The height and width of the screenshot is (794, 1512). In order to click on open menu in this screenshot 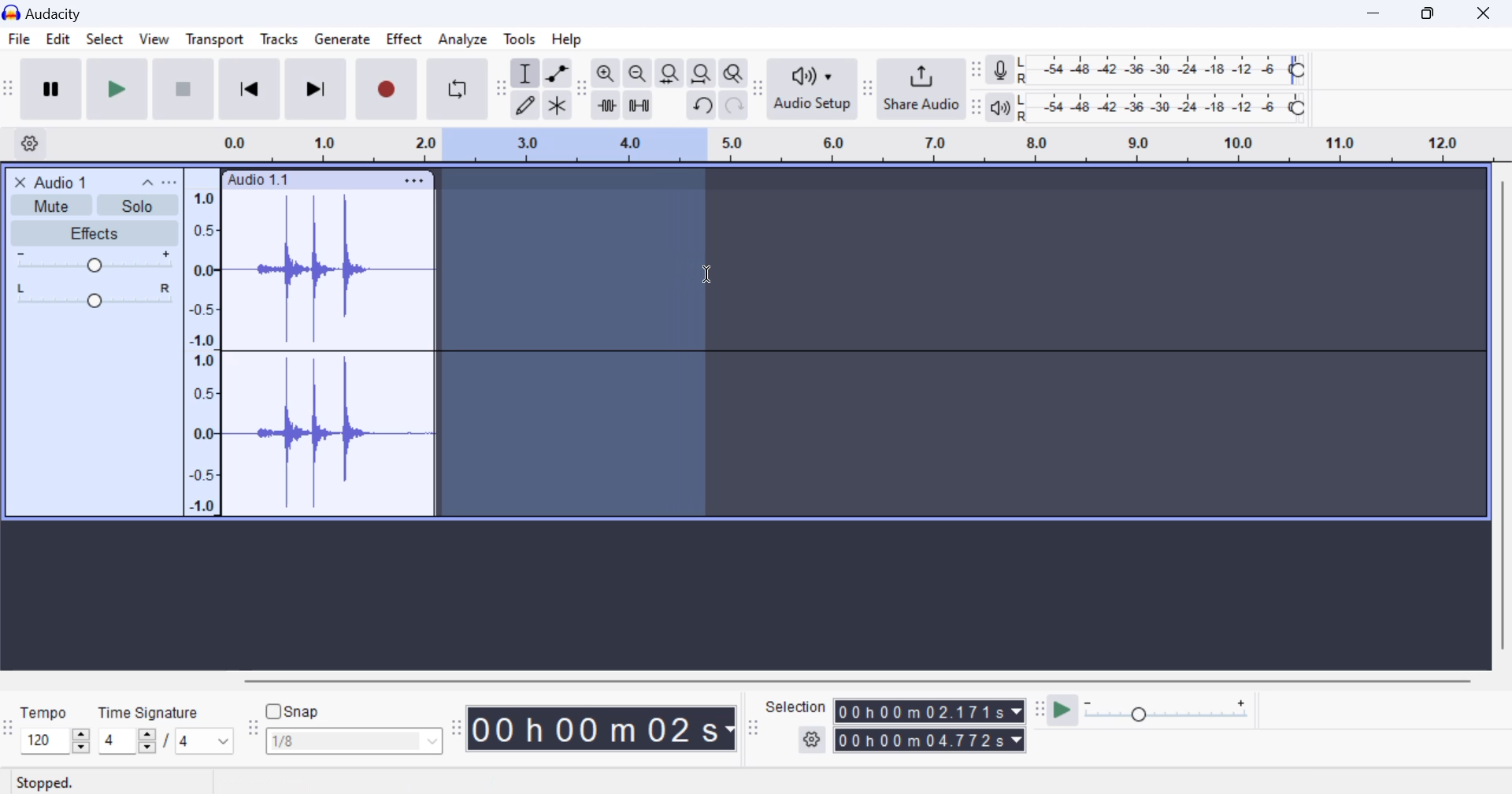, I will do `click(169, 182)`.